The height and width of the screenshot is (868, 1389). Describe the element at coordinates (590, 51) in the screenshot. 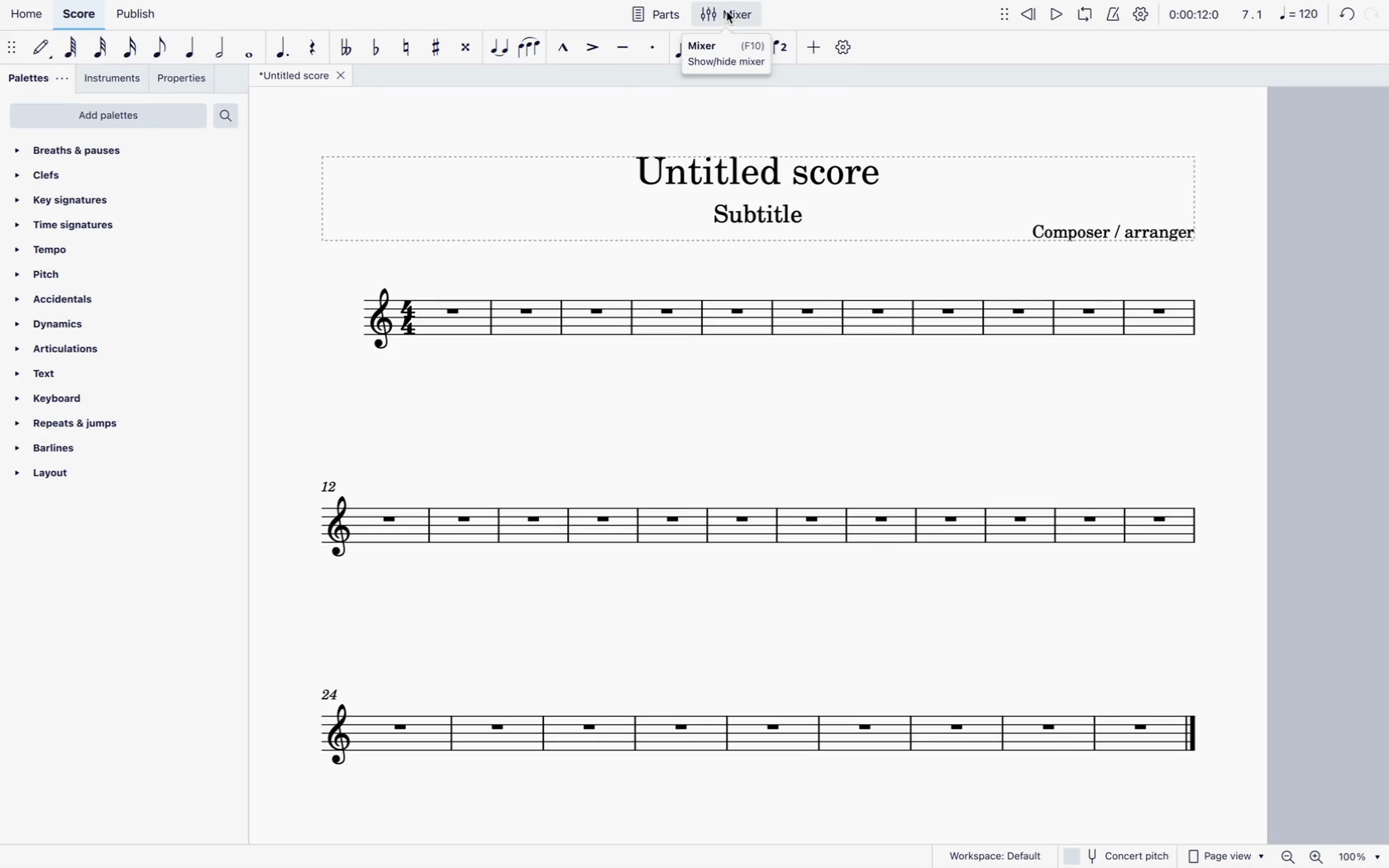

I see `accent` at that location.